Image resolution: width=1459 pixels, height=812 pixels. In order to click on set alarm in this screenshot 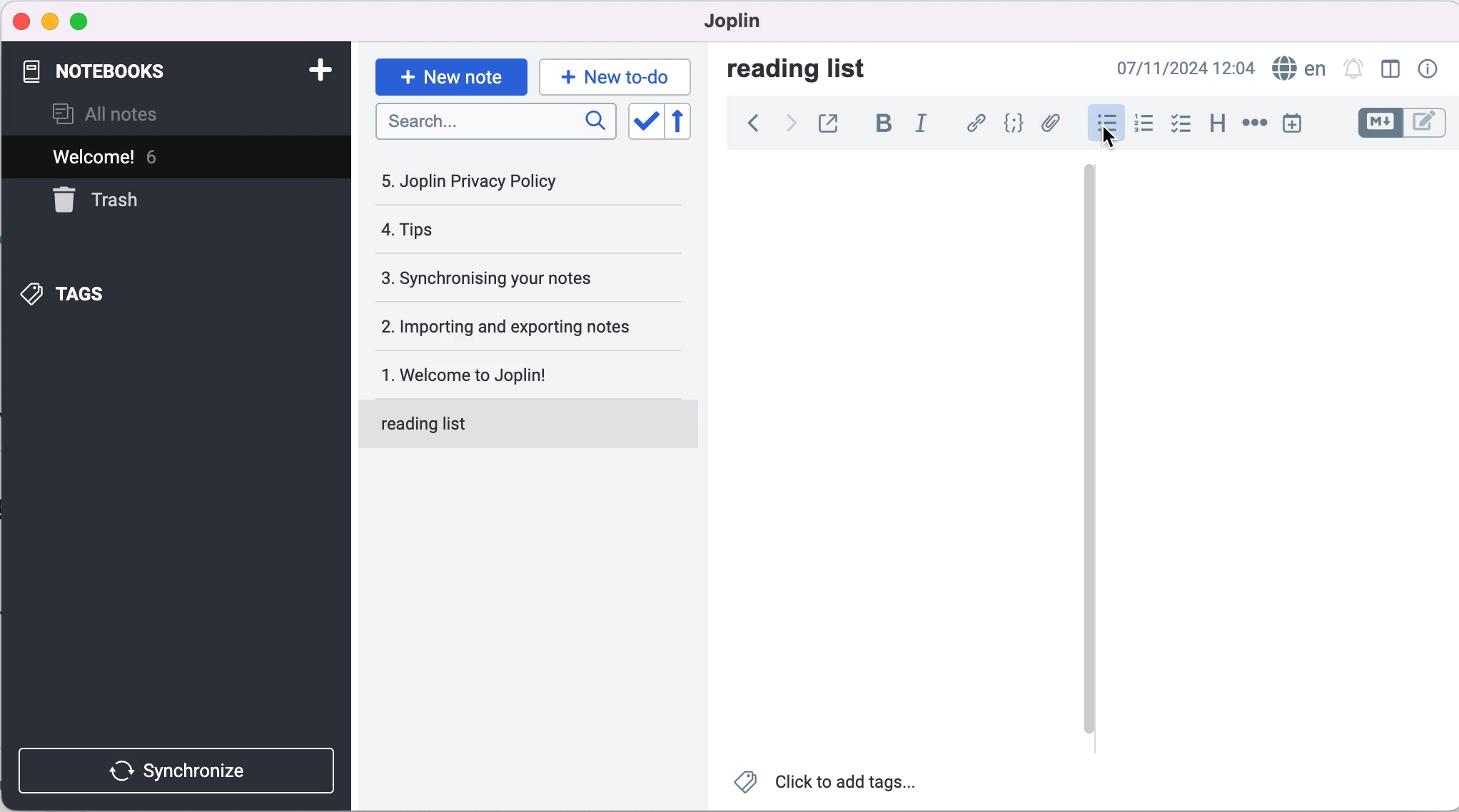, I will do `click(1353, 69)`.